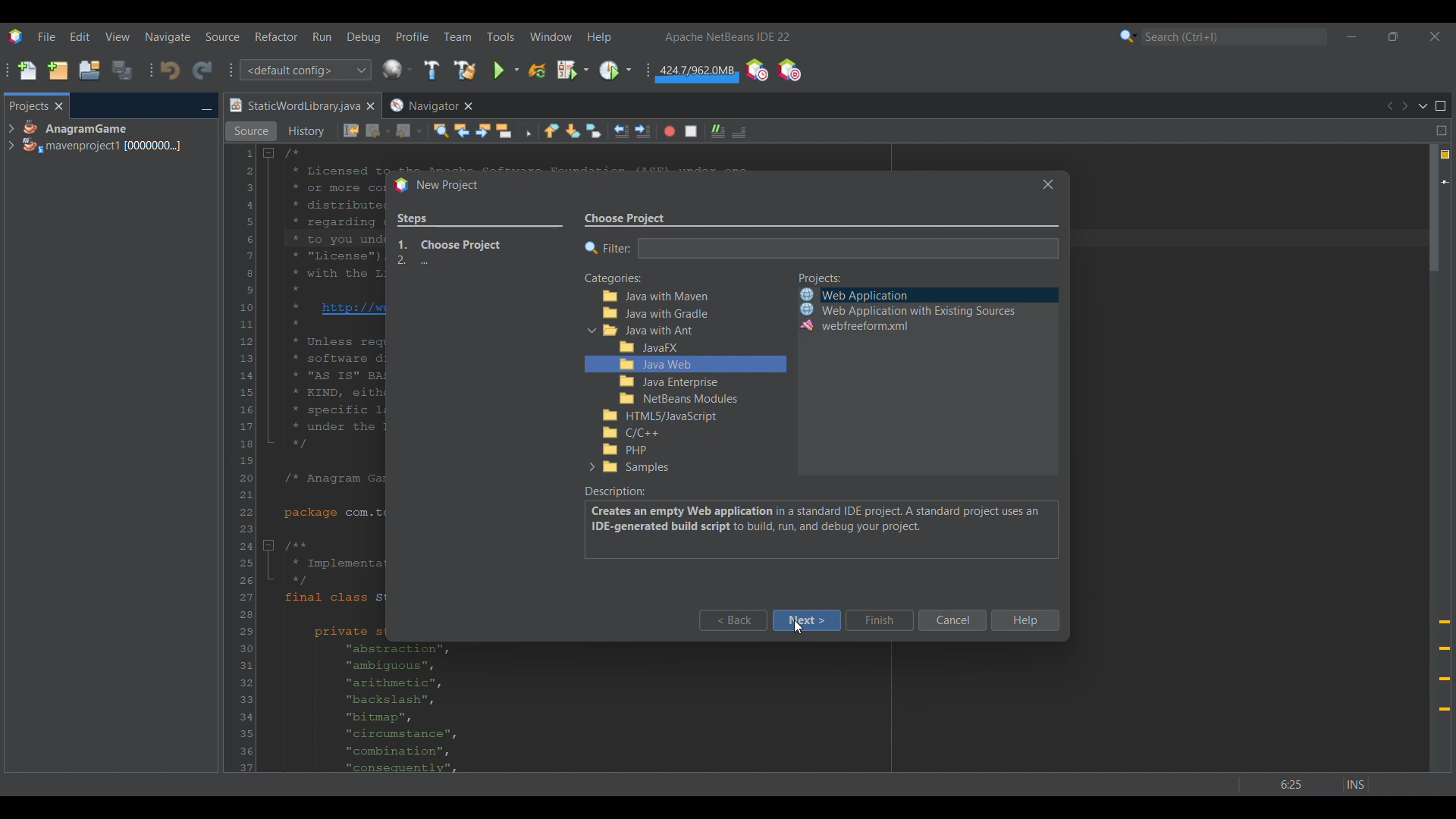  I want to click on Debug main project options, so click(573, 69).